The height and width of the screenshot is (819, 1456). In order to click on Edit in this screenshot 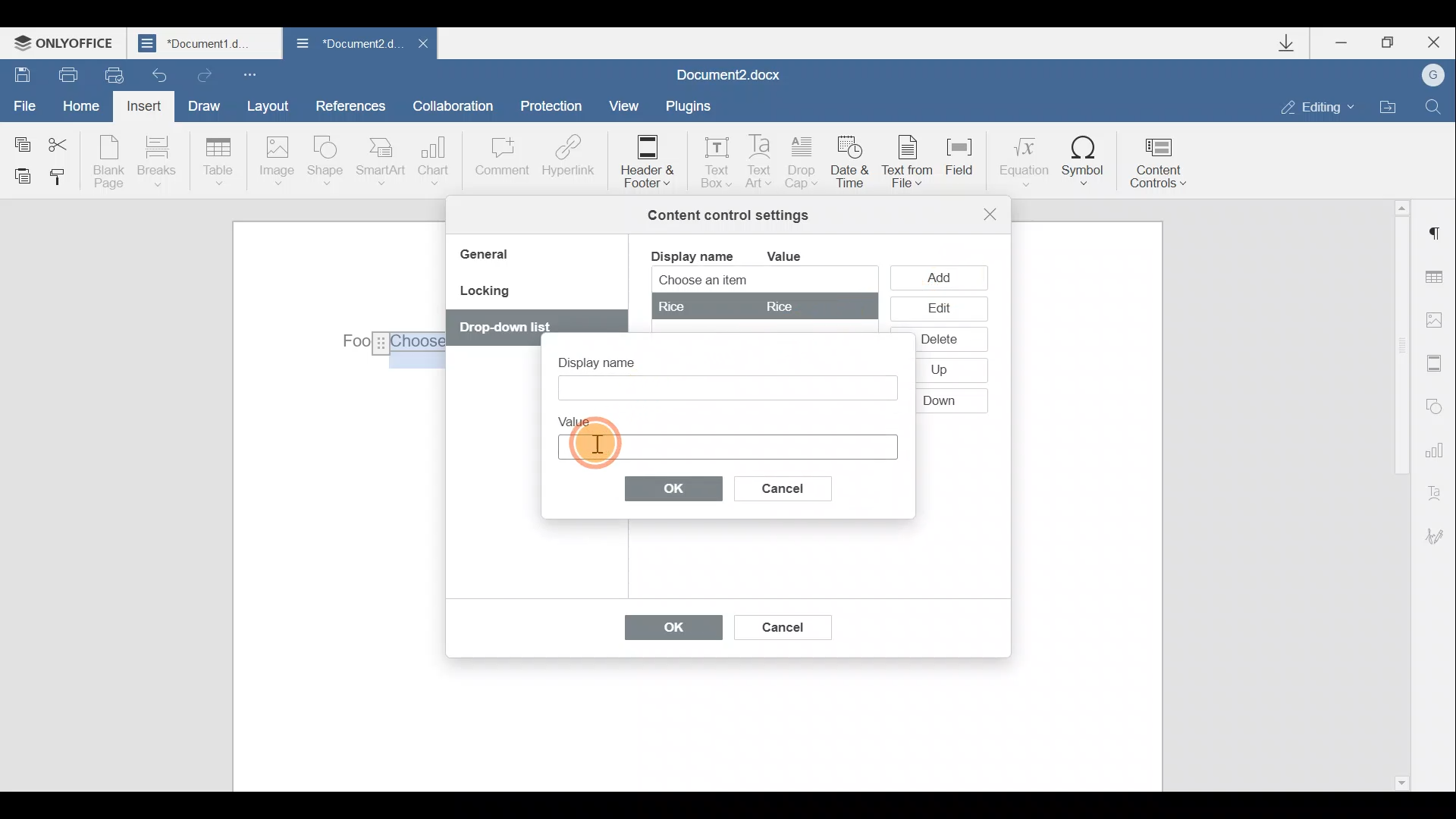, I will do `click(938, 309)`.